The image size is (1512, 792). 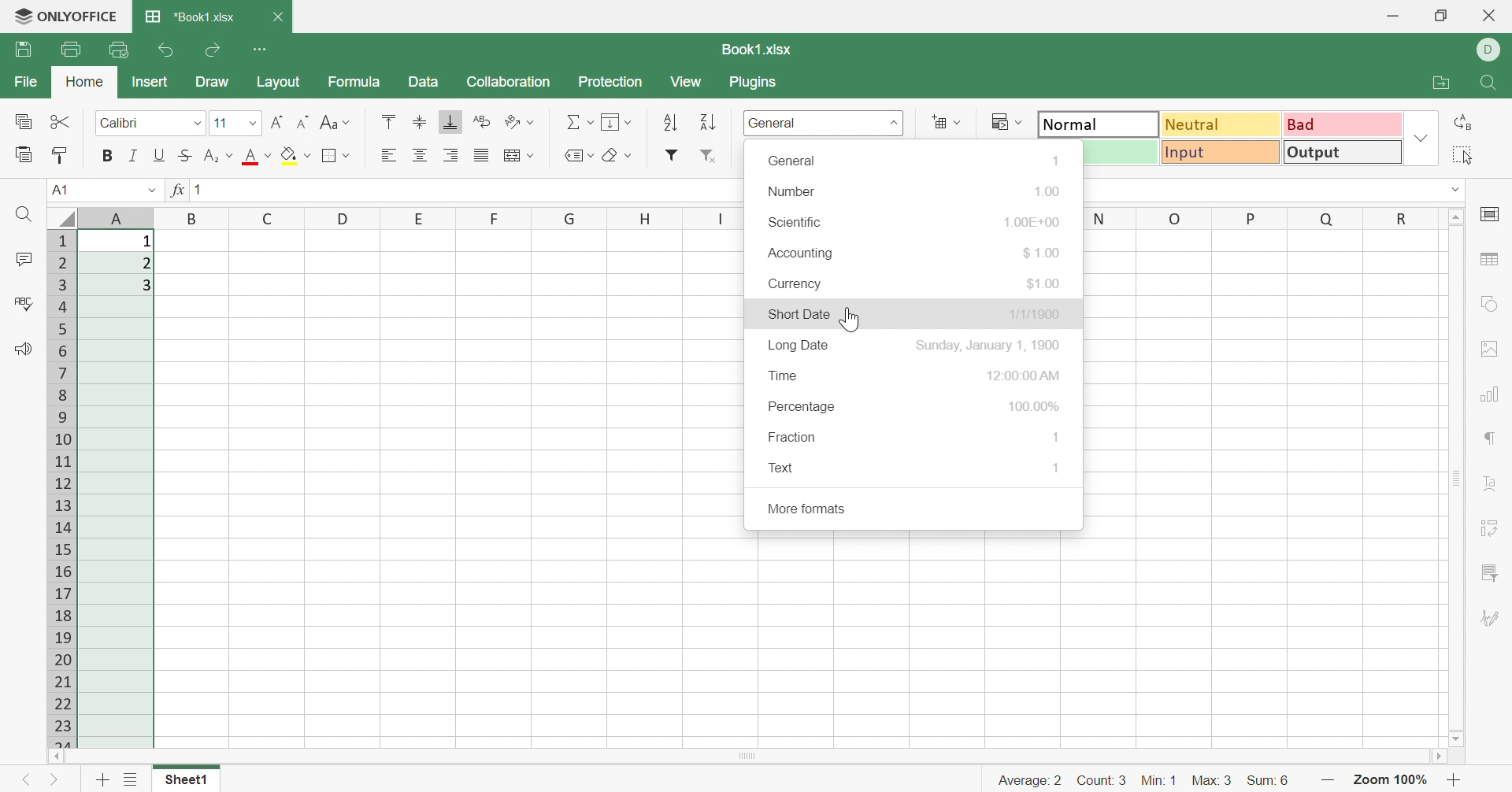 What do you see at coordinates (1222, 126) in the screenshot?
I see `Neutral` at bounding box center [1222, 126].